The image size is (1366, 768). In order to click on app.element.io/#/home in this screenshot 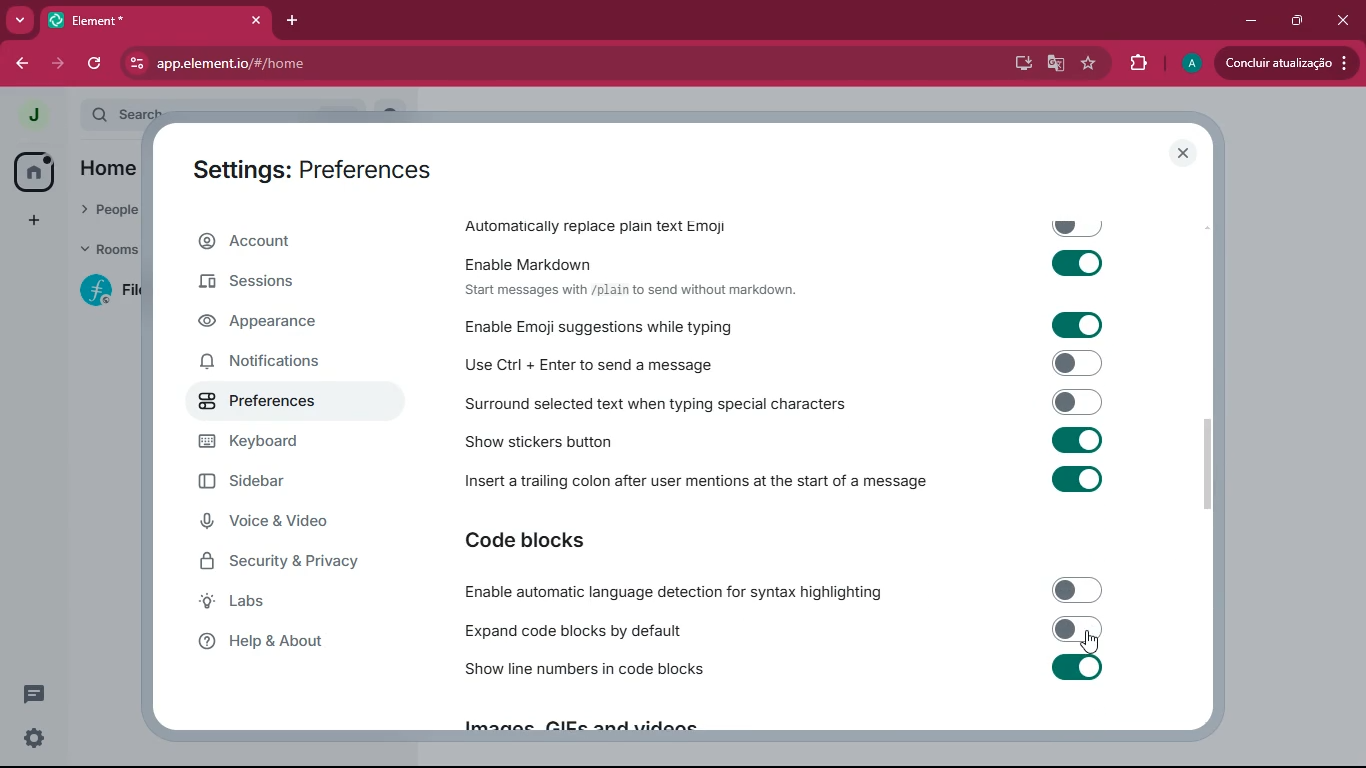, I will do `click(318, 63)`.